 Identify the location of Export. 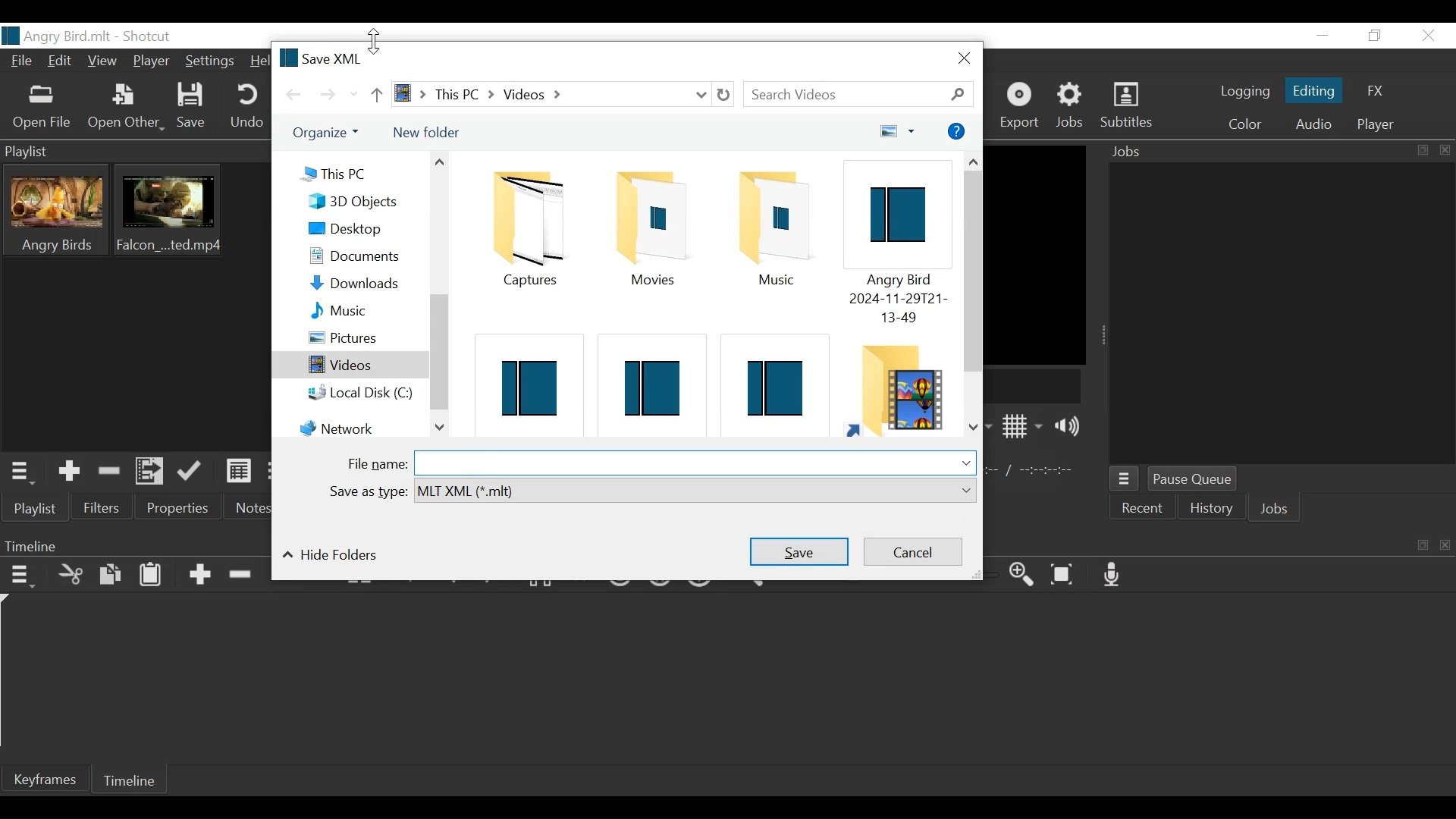
(1021, 106).